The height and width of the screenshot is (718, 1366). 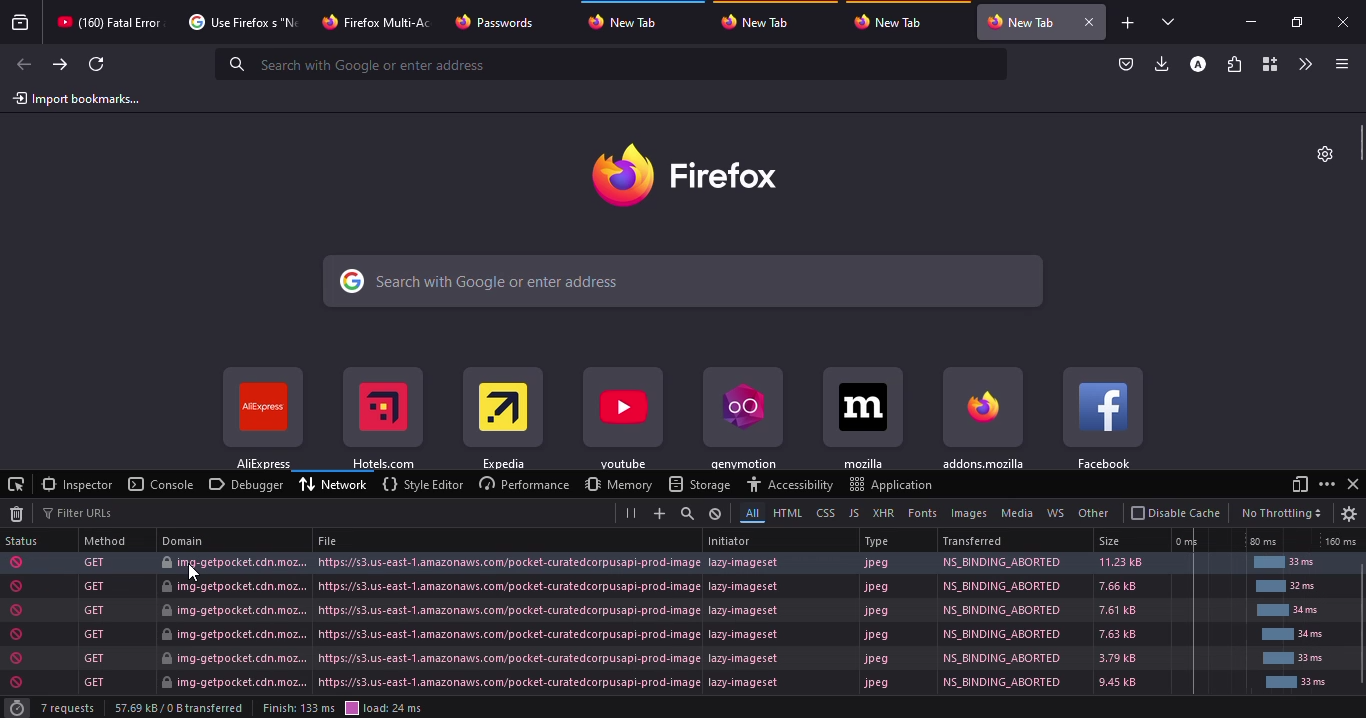 What do you see at coordinates (162, 484) in the screenshot?
I see `console` at bounding box center [162, 484].